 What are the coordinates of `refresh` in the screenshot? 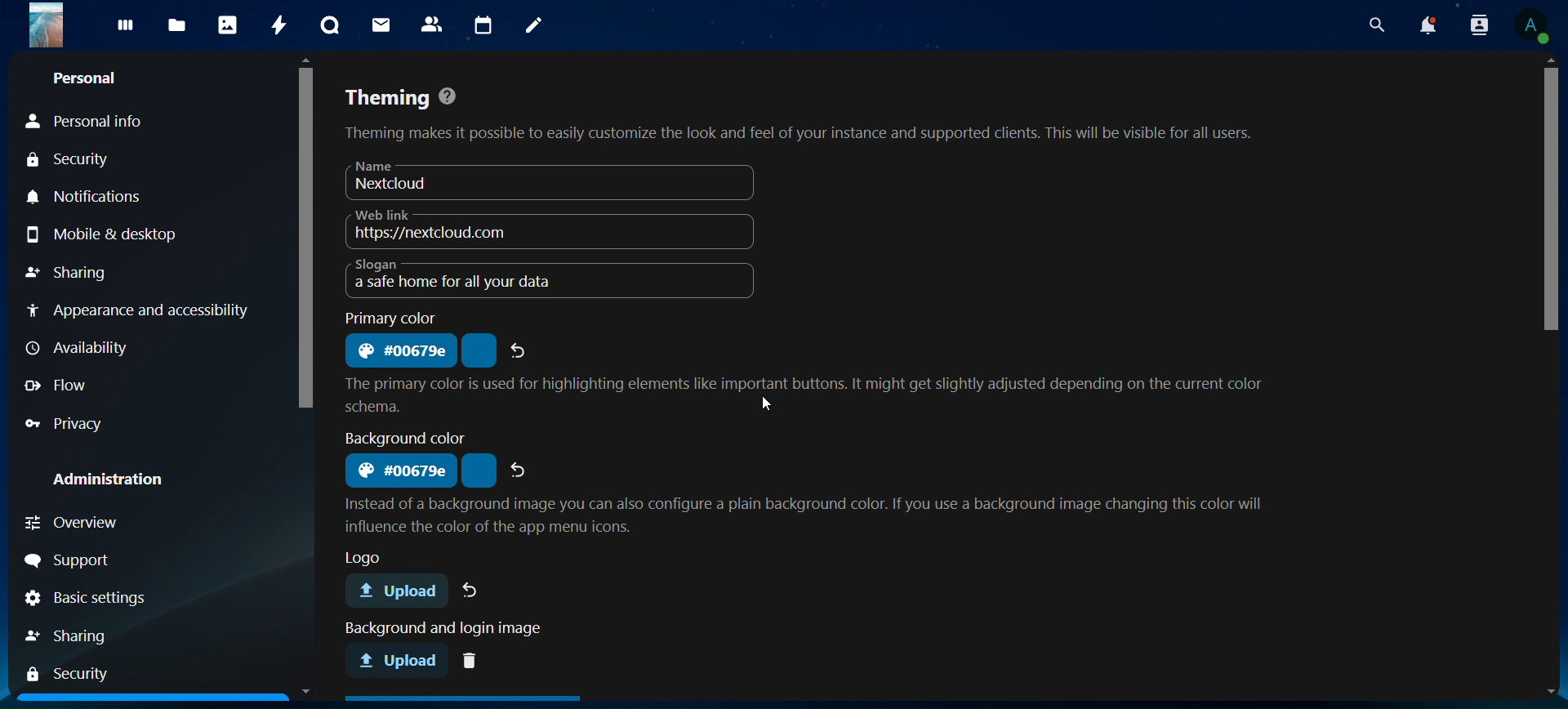 It's located at (520, 351).